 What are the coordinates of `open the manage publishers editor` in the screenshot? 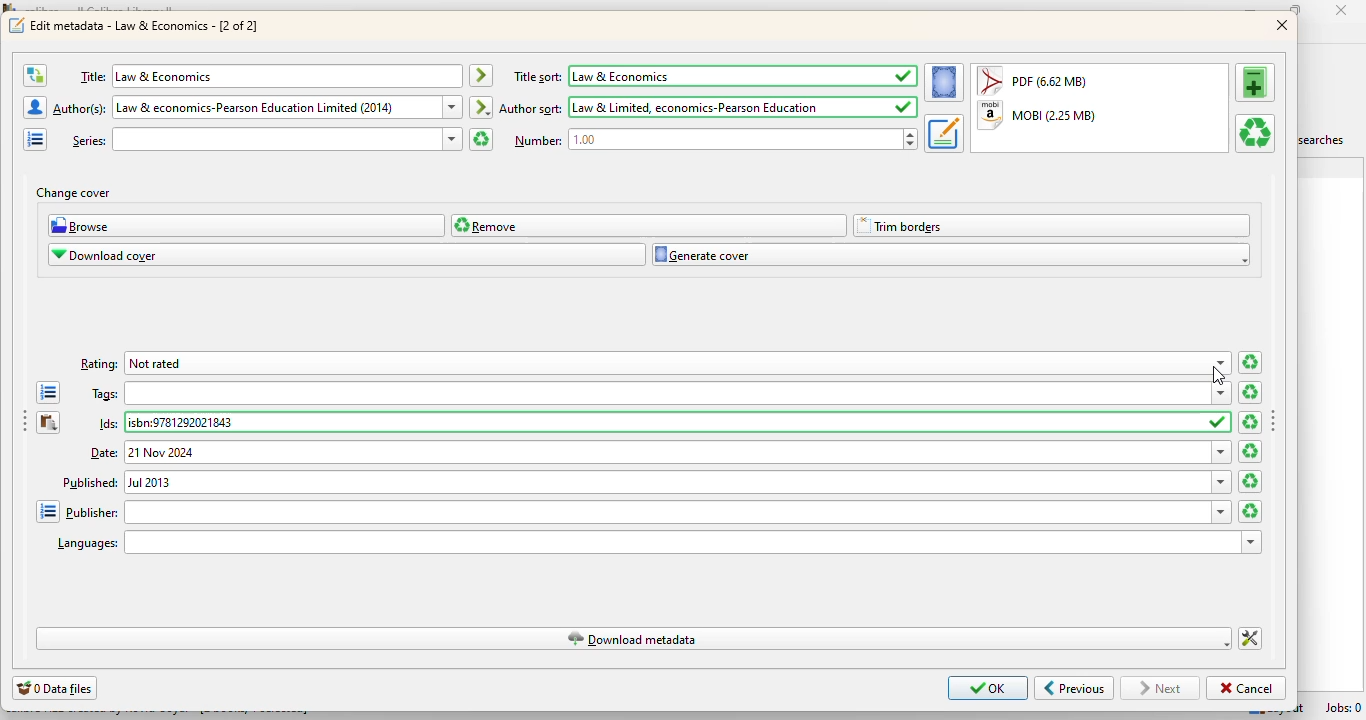 It's located at (46, 511).